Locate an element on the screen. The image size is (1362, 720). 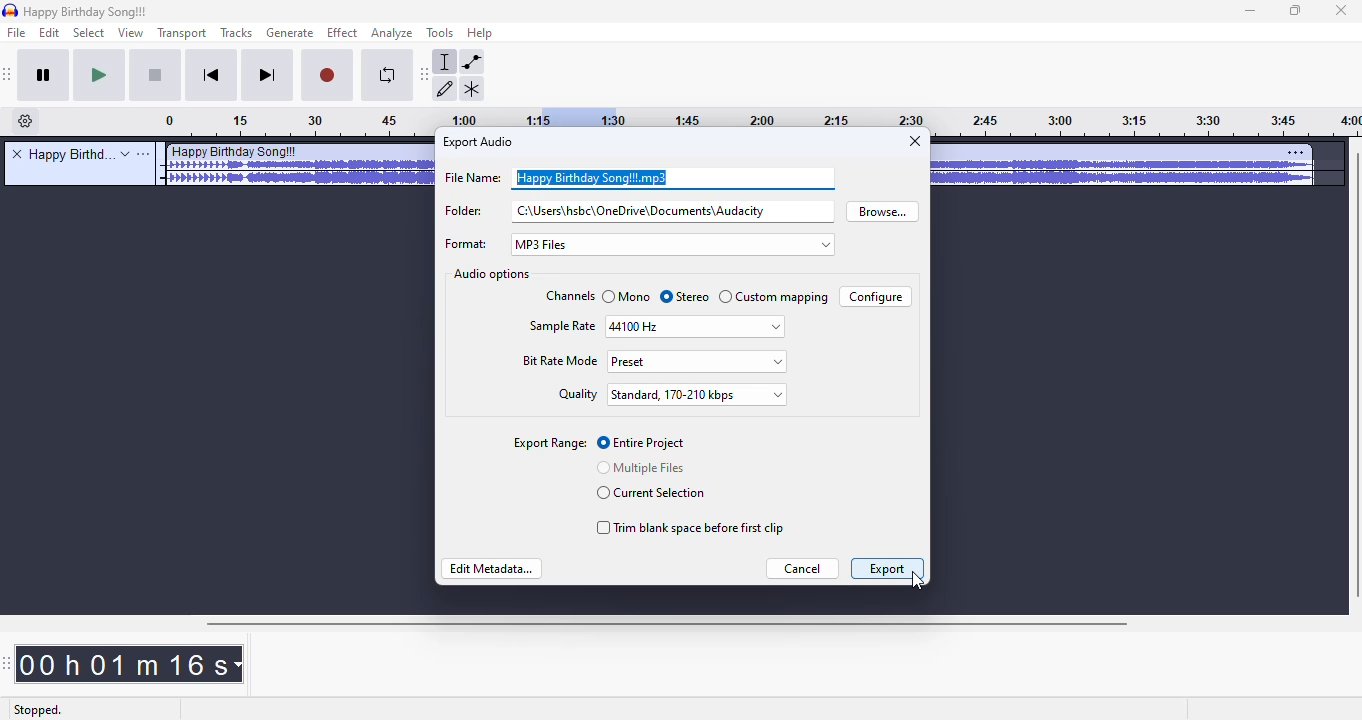
maximize is located at coordinates (1296, 11).